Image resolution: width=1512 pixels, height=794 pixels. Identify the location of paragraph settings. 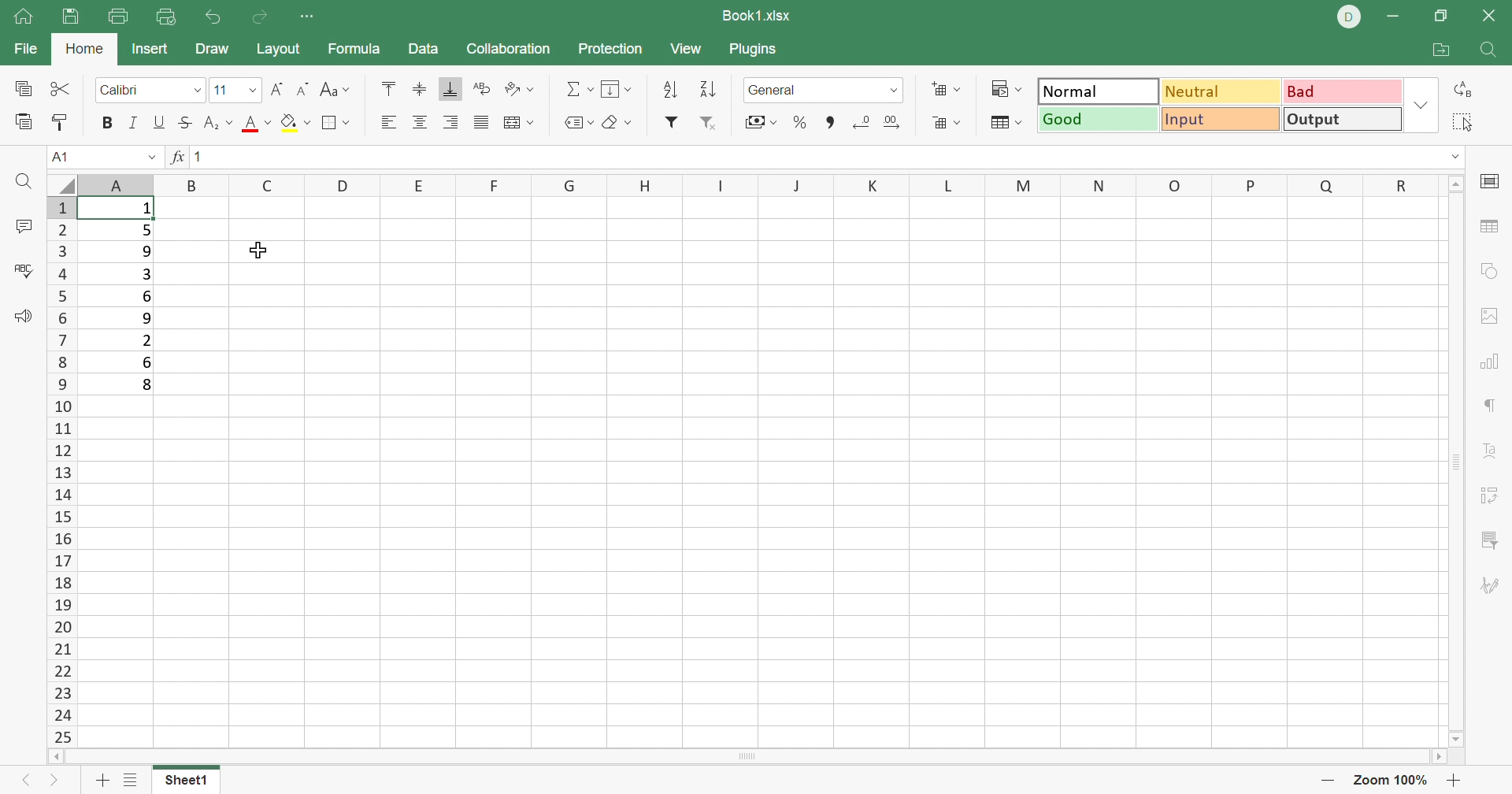
(1488, 405).